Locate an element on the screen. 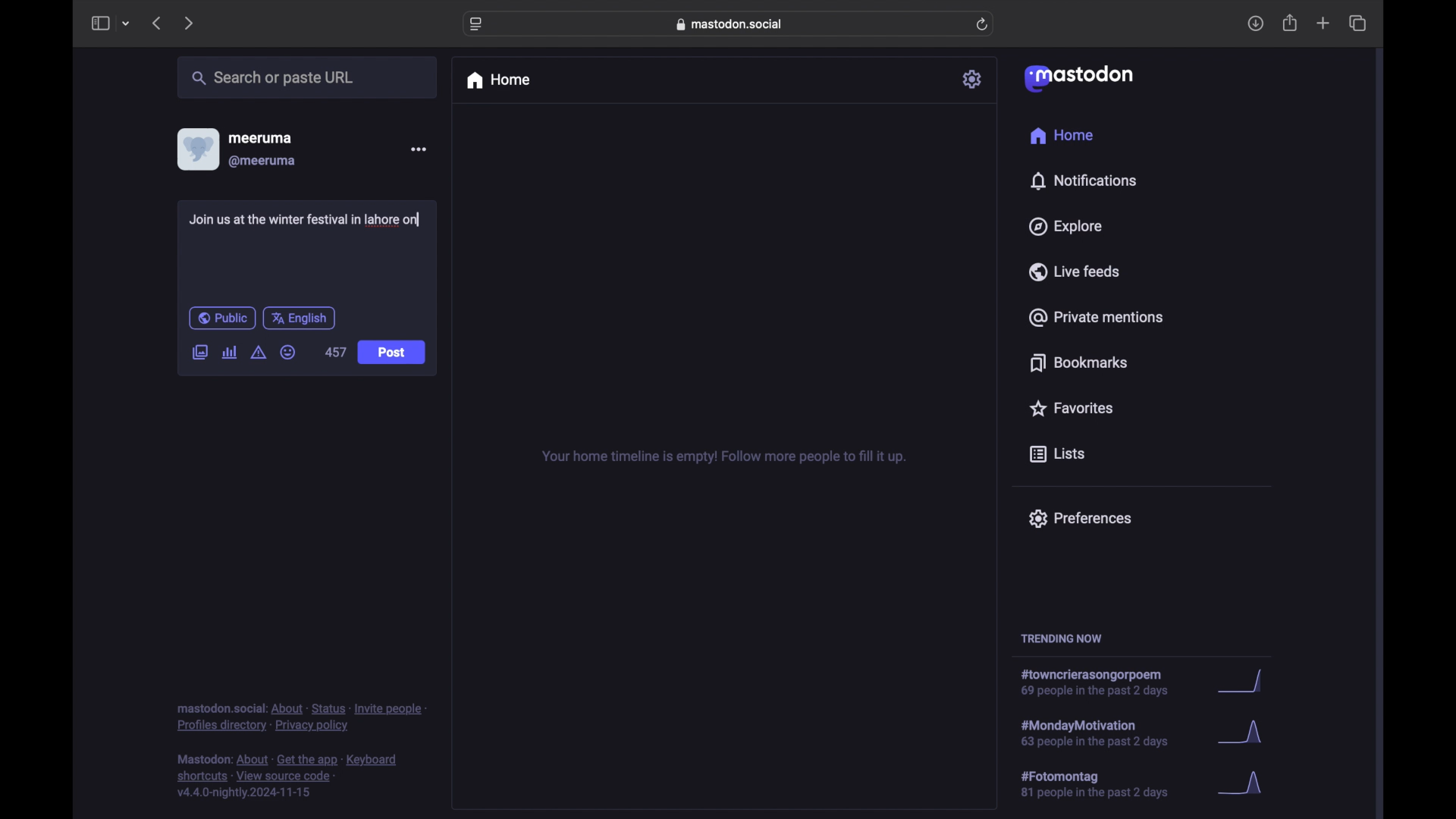 Image resolution: width=1456 pixels, height=819 pixels. private mentions is located at coordinates (1097, 317).